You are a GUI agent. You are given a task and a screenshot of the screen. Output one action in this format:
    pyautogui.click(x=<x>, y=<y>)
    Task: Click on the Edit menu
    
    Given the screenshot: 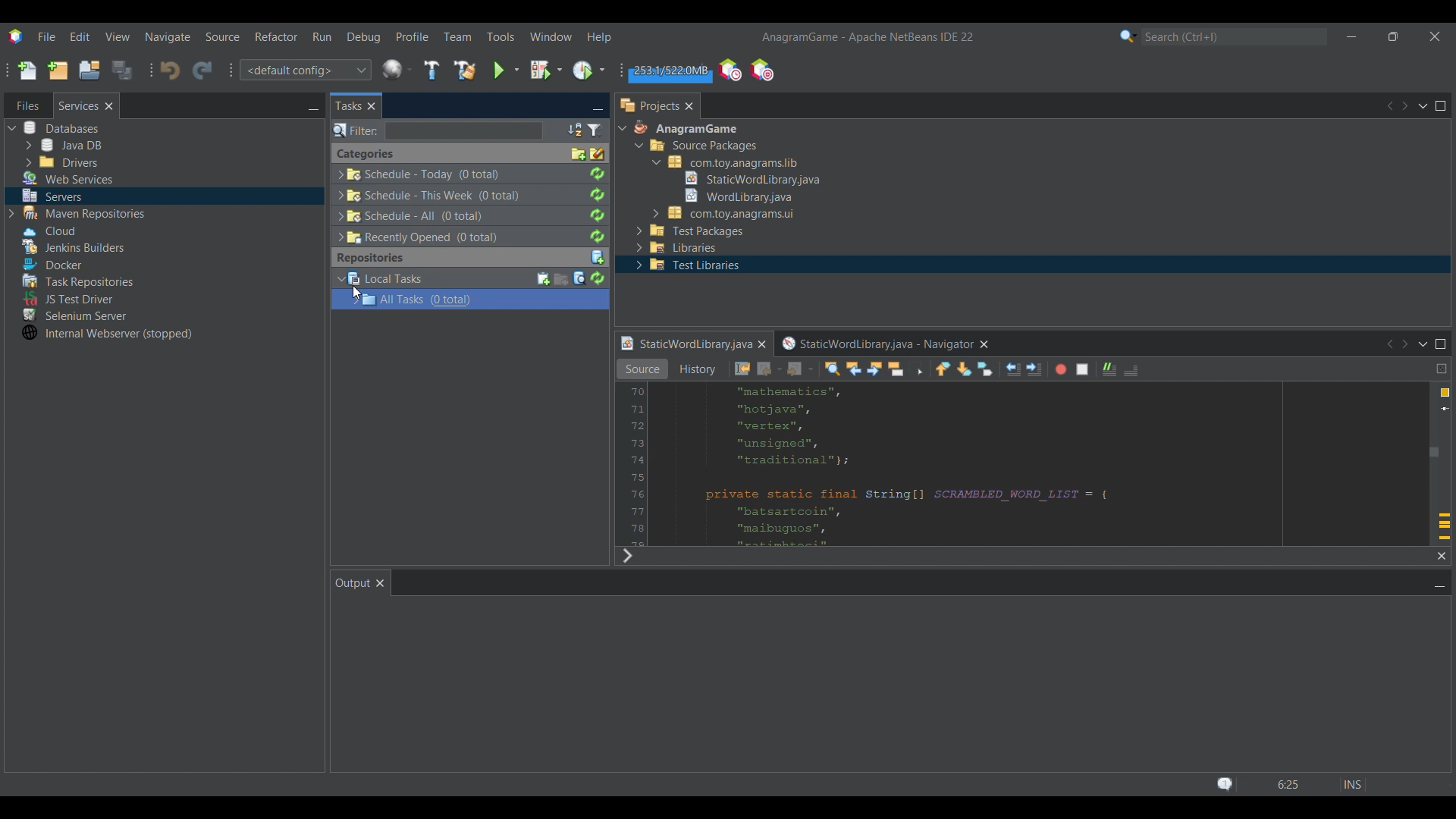 What is the action you would take?
    pyautogui.click(x=80, y=36)
    